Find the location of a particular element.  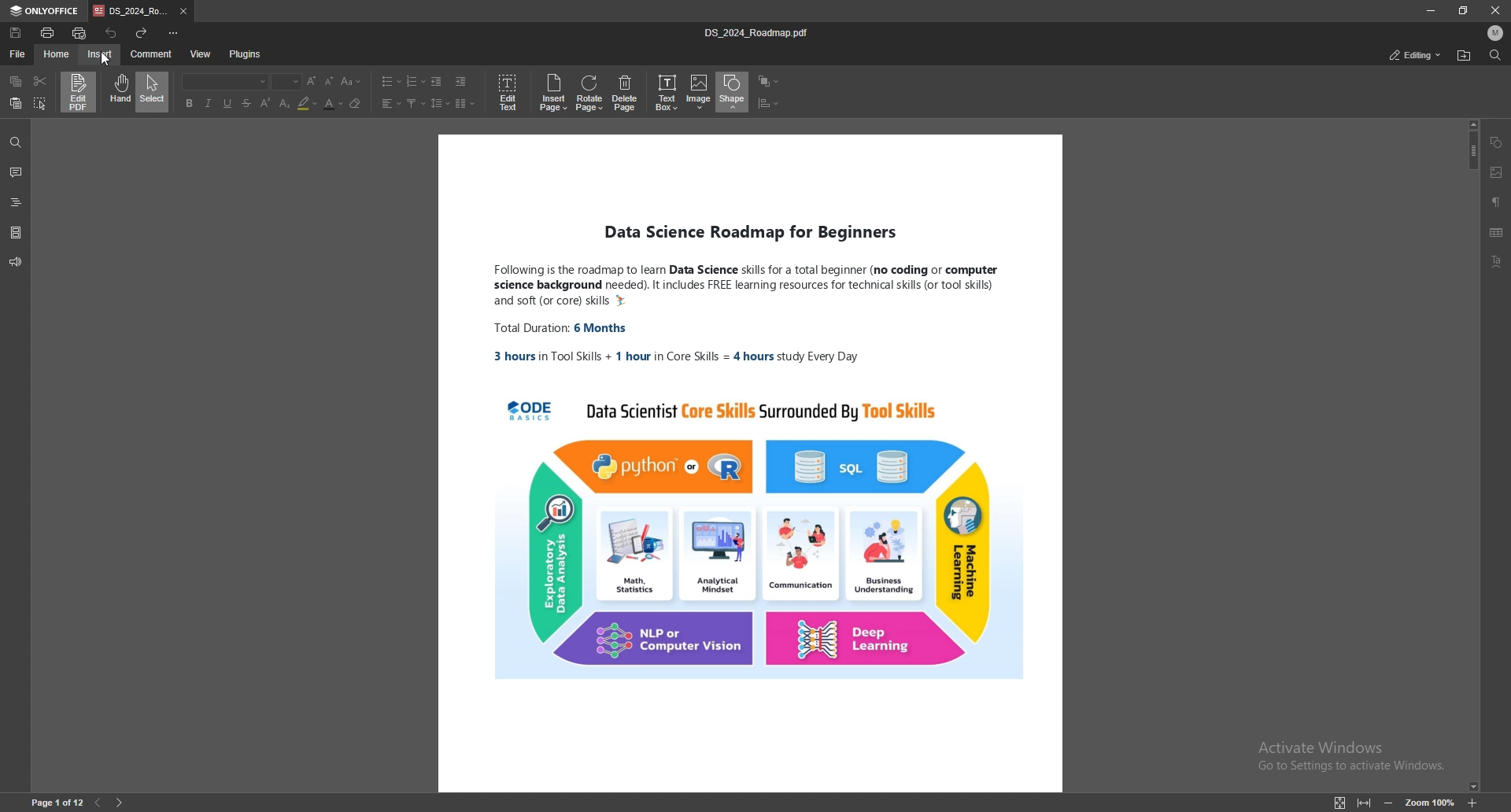

table is located at coordinates (1498, 233).